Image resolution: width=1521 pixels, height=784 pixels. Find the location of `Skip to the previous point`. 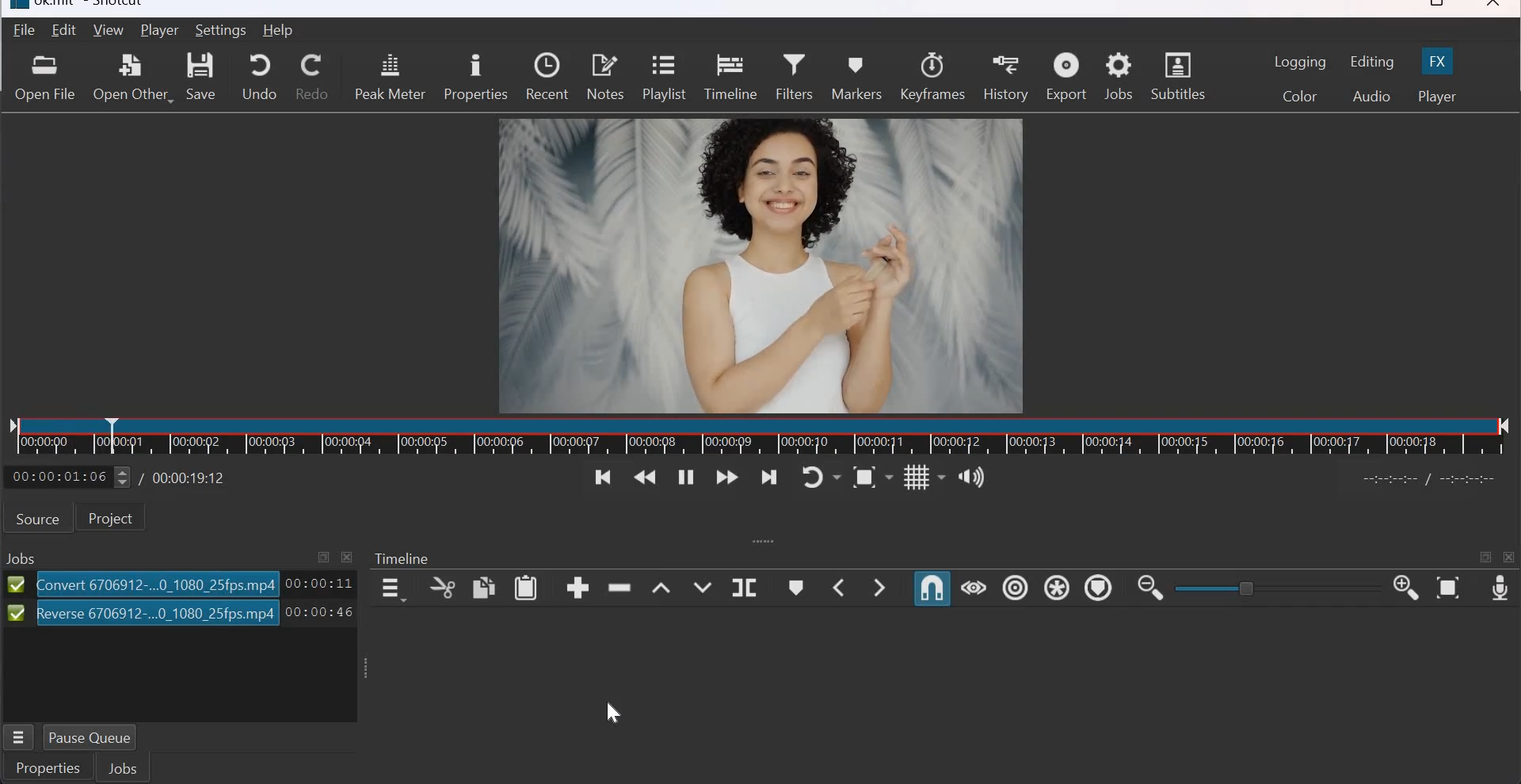

Skip to the previous point is located at coordinates (598, 477).